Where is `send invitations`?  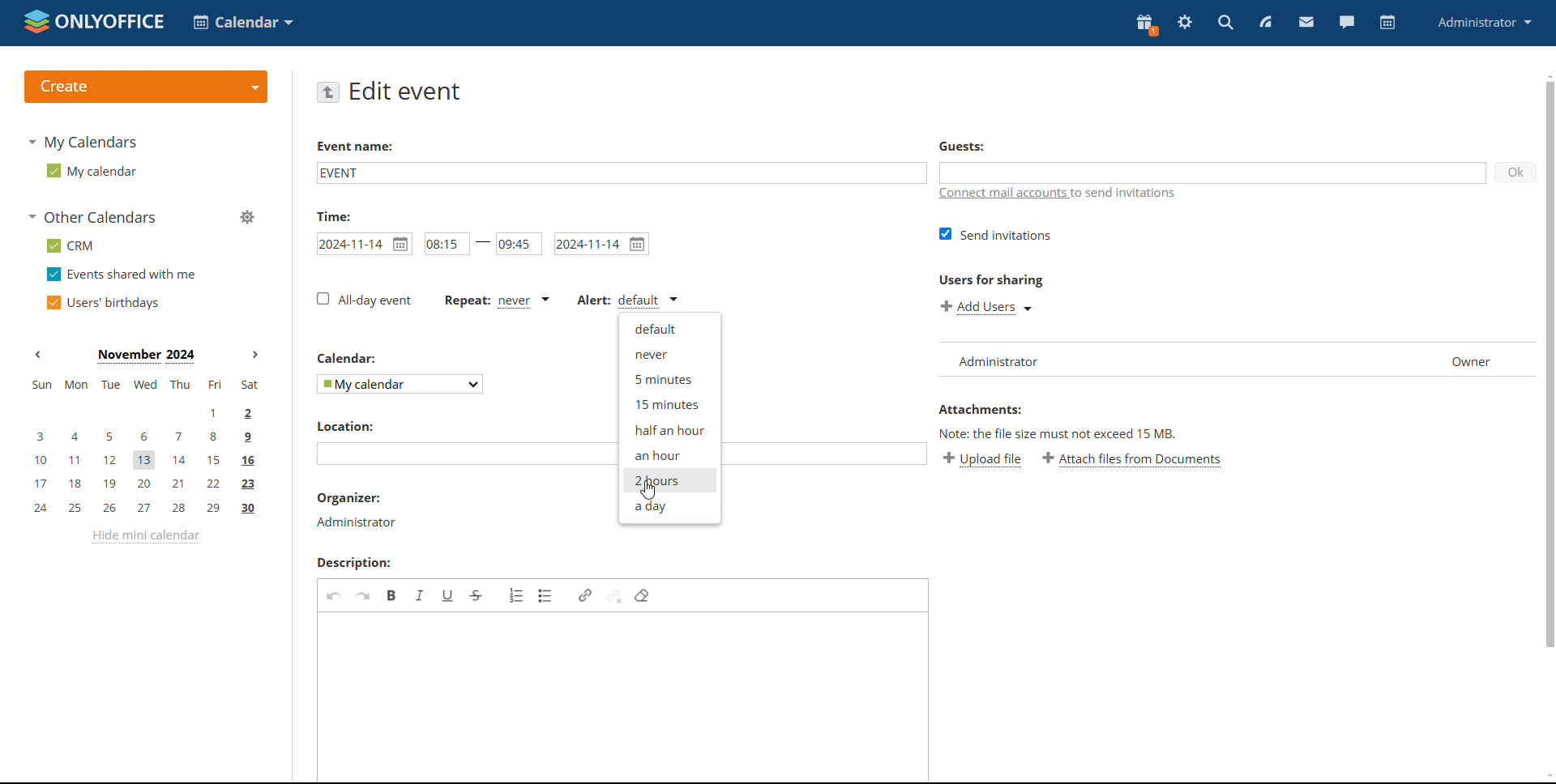
send invitations is located at coordinates (995, 233).